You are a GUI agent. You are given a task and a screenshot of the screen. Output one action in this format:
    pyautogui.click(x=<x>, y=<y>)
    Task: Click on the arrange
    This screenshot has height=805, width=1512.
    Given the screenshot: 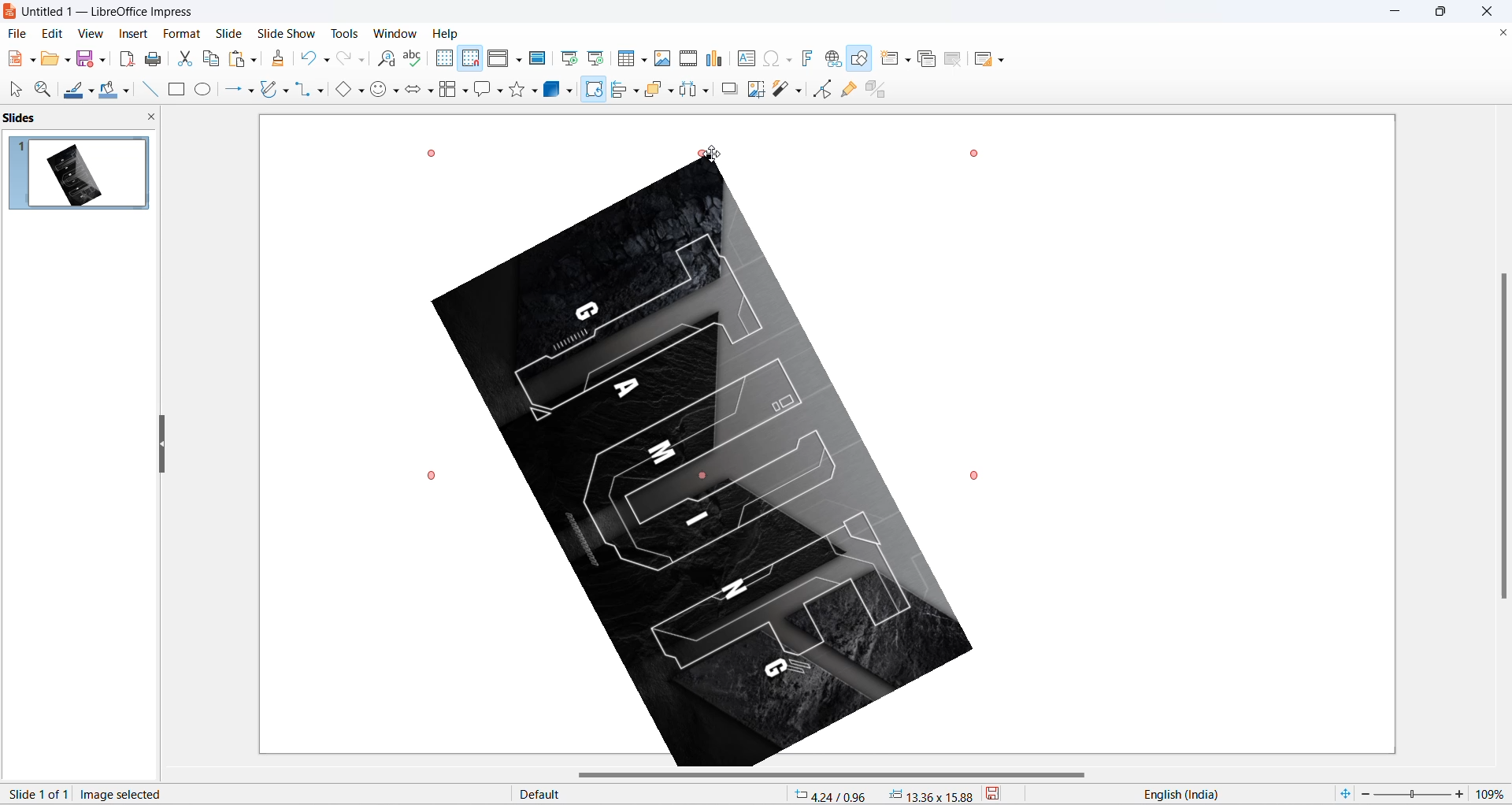 What is the action you would take?
    pyautogui.click(x=658, y=88)
    